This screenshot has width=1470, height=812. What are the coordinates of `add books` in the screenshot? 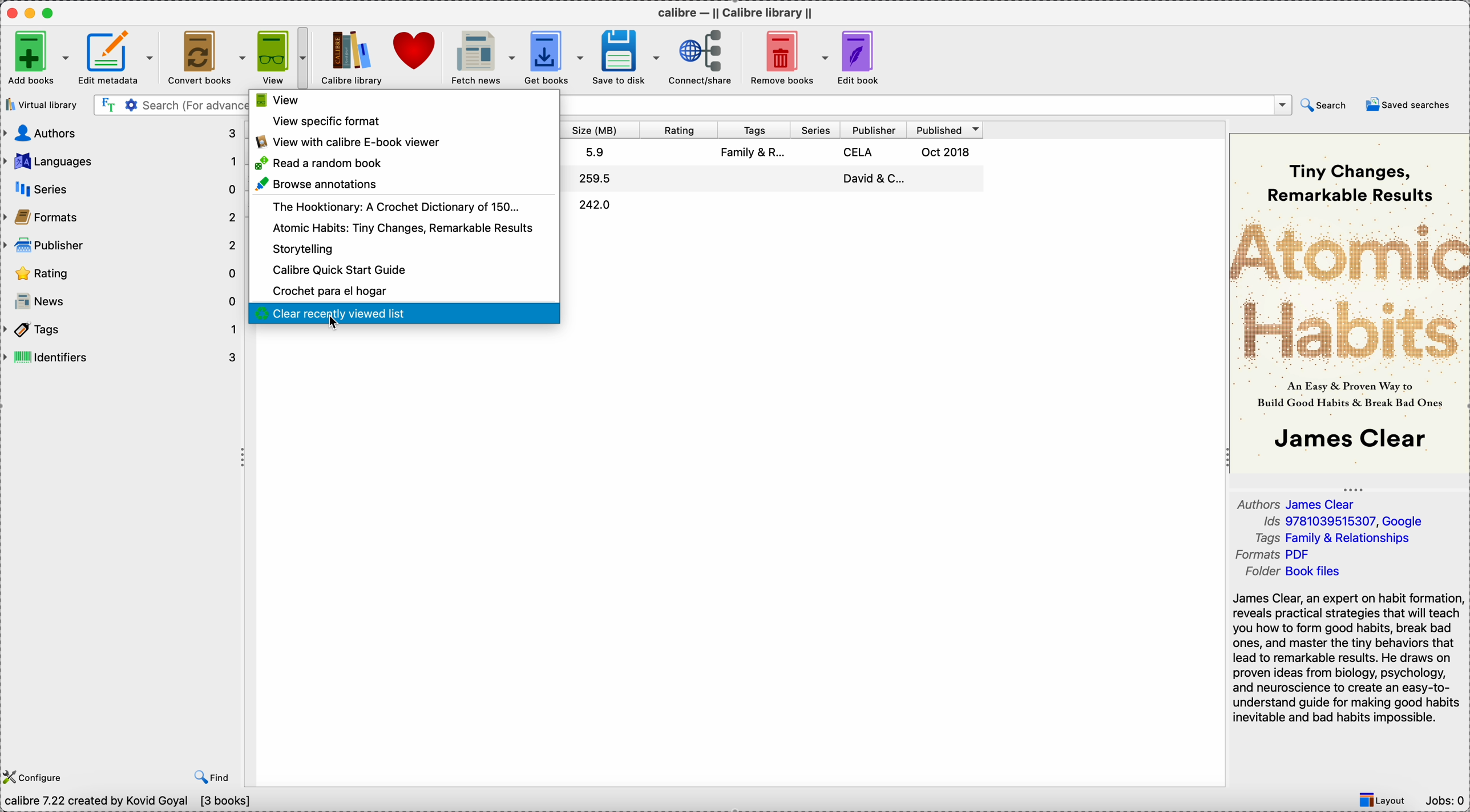 It's located at (37, 56).